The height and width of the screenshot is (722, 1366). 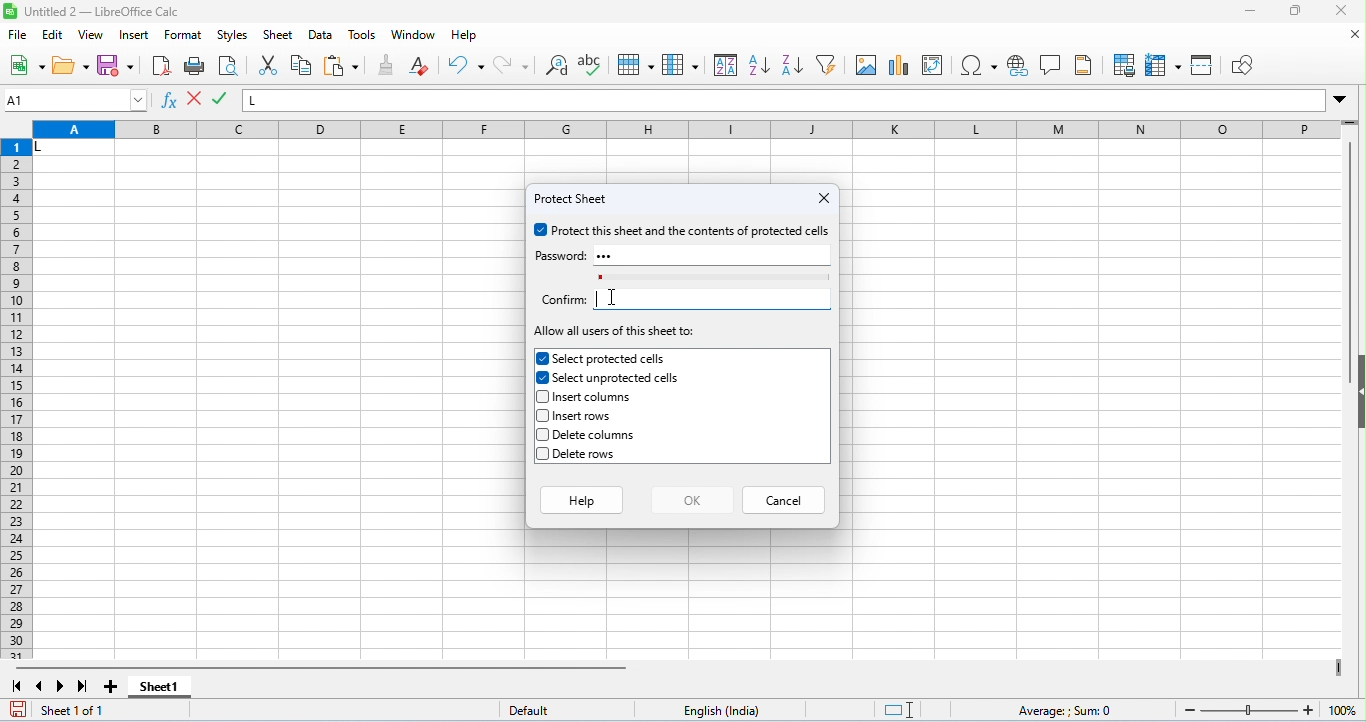 What do you see at coordinates (196, 100) in the screenshot?
I see `accept` at bounding box center [196, 100].